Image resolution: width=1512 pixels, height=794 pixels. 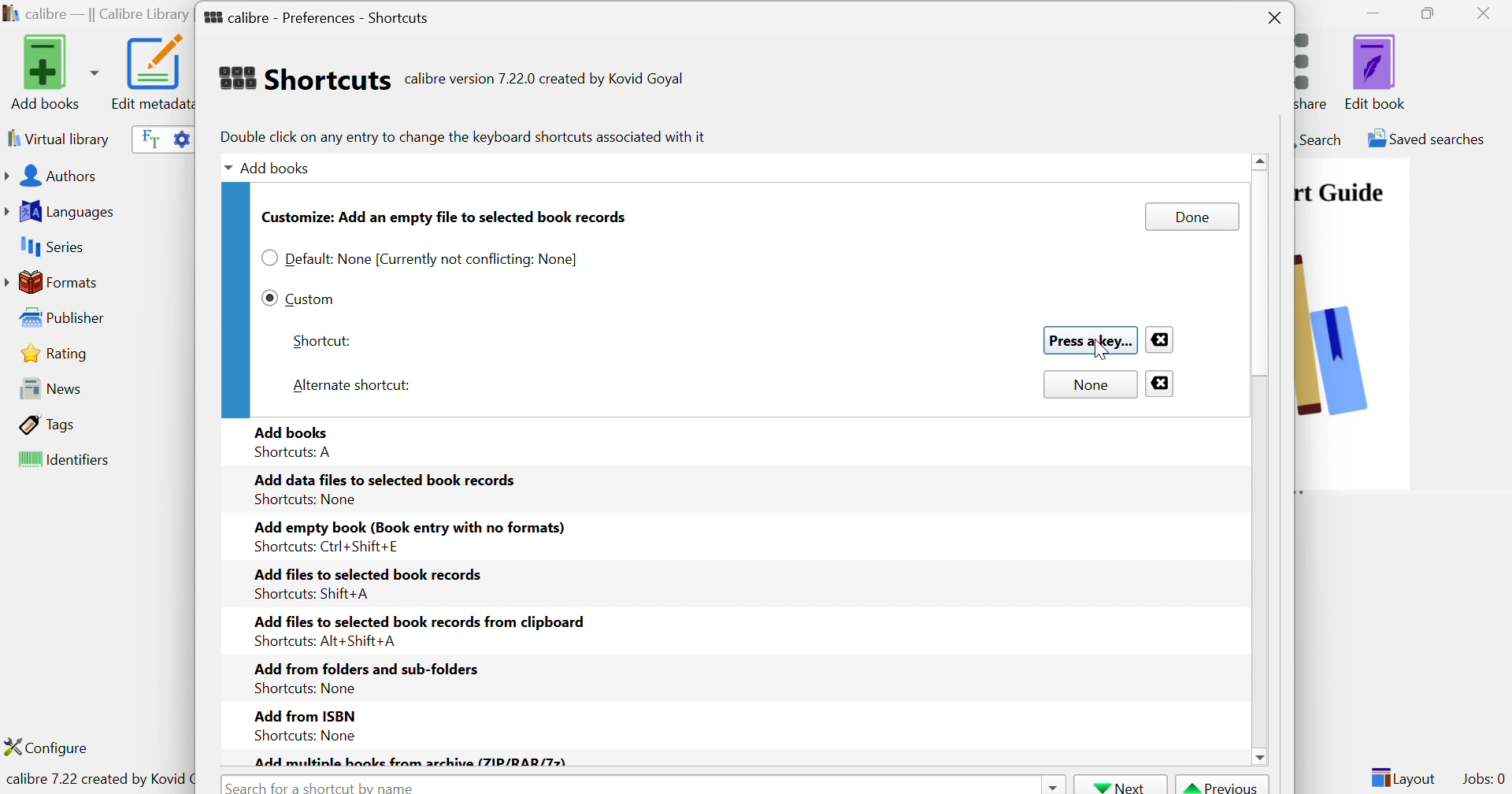 What do you see at coordinates (50, 247) in the screenshot?
I see `Series` at bounding box center [50, 247].